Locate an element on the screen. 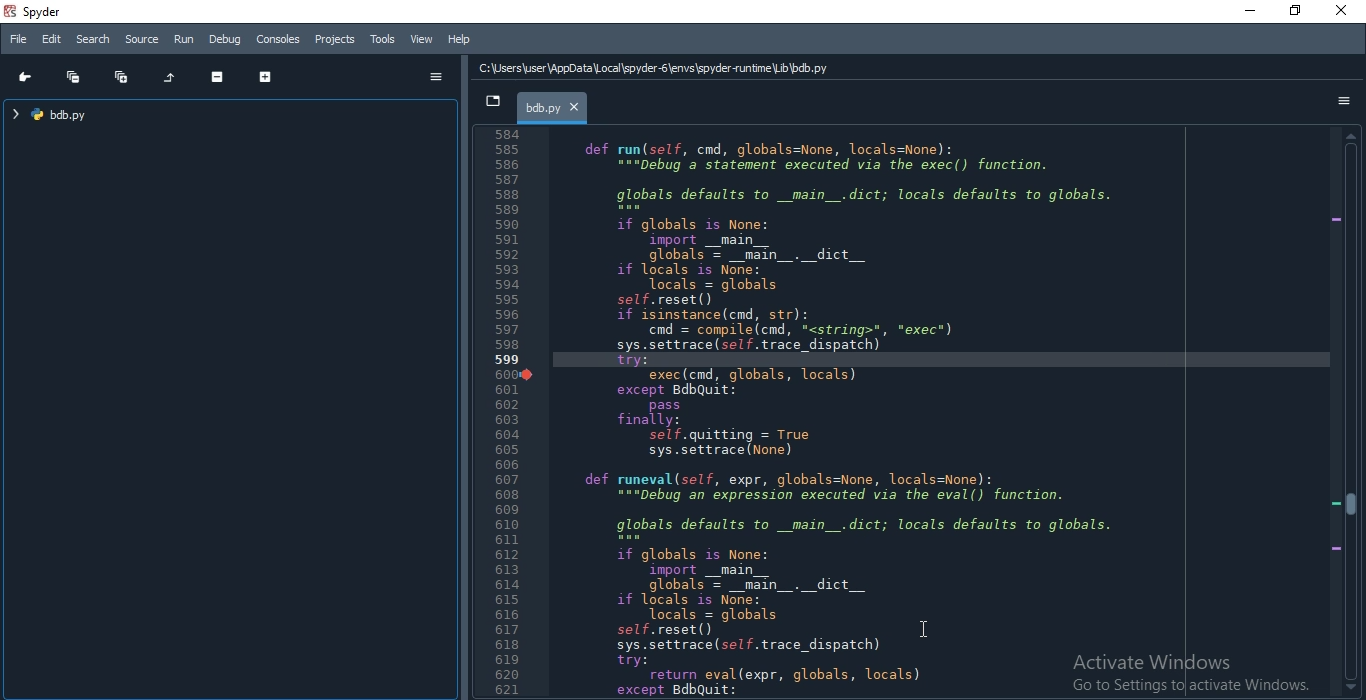 The height and width of the screenshot is (700, 1366). Restore original tree layout is located at coordinates (170, 78).